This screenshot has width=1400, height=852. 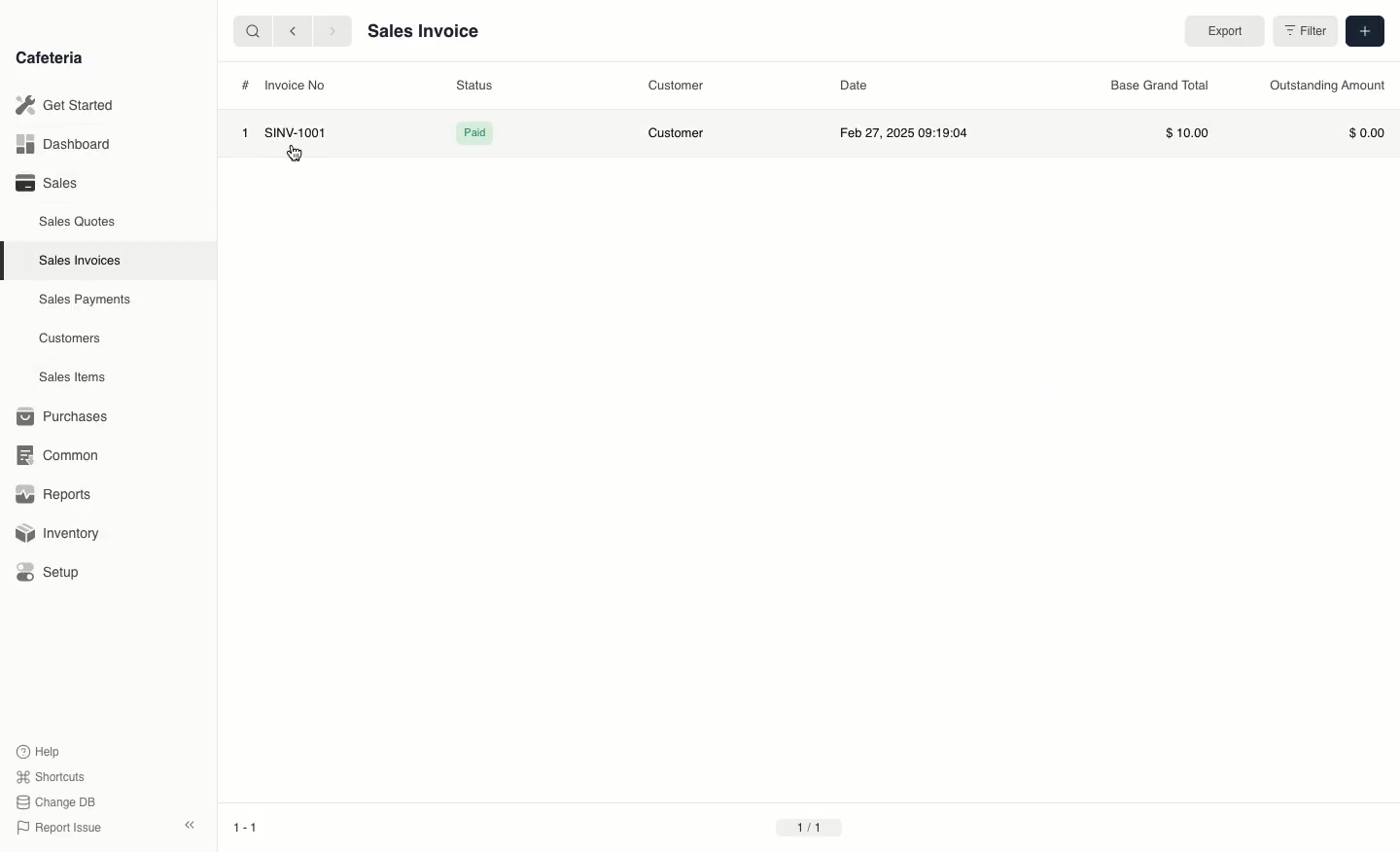 I want to click on Date, so click(x=857, y=84).